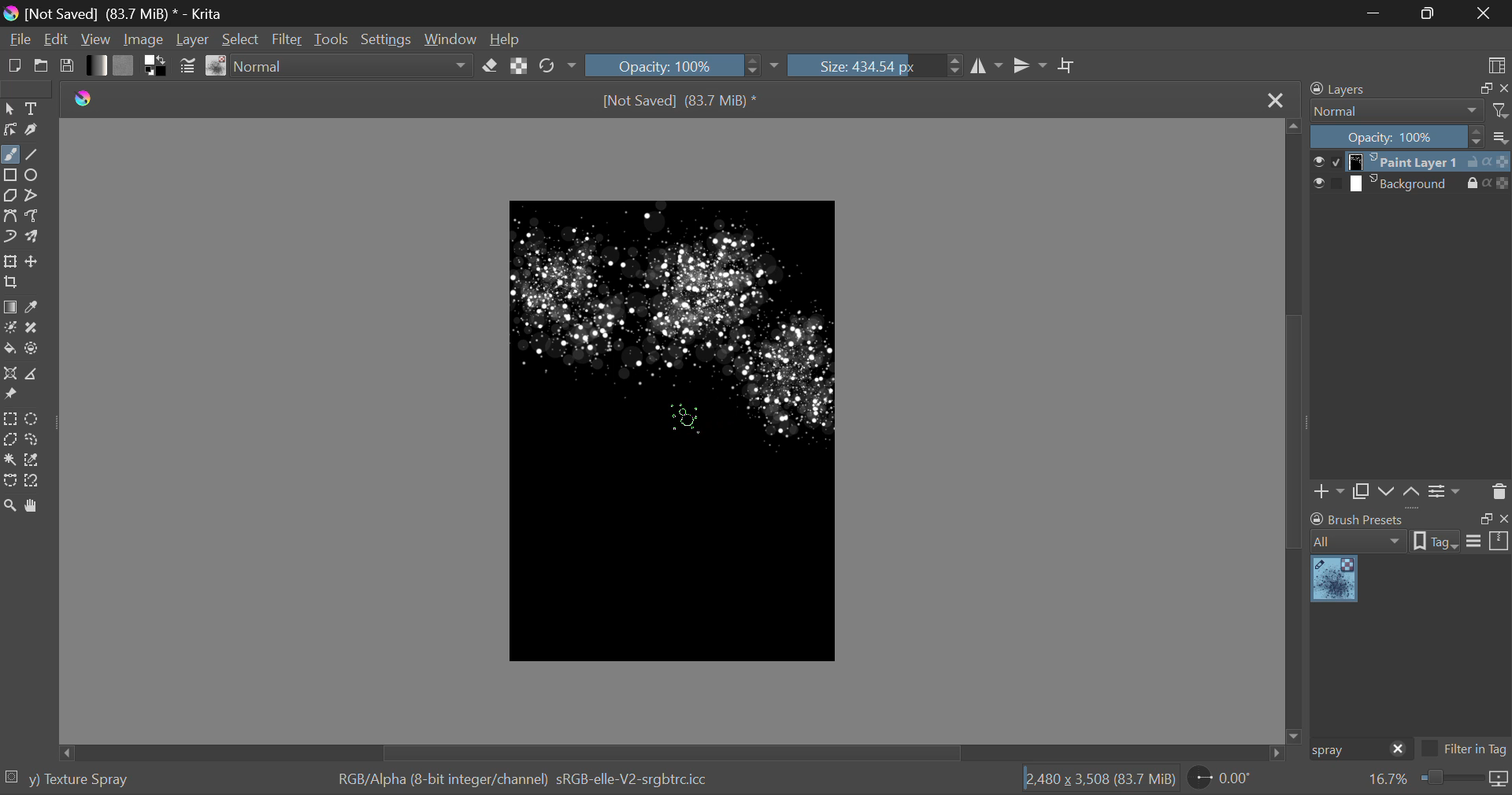 The image size is (1512, 795). What do you see at coordinates (490, 66) in the screenshot?
I see `Eraser` at bounding box center [490, 66].